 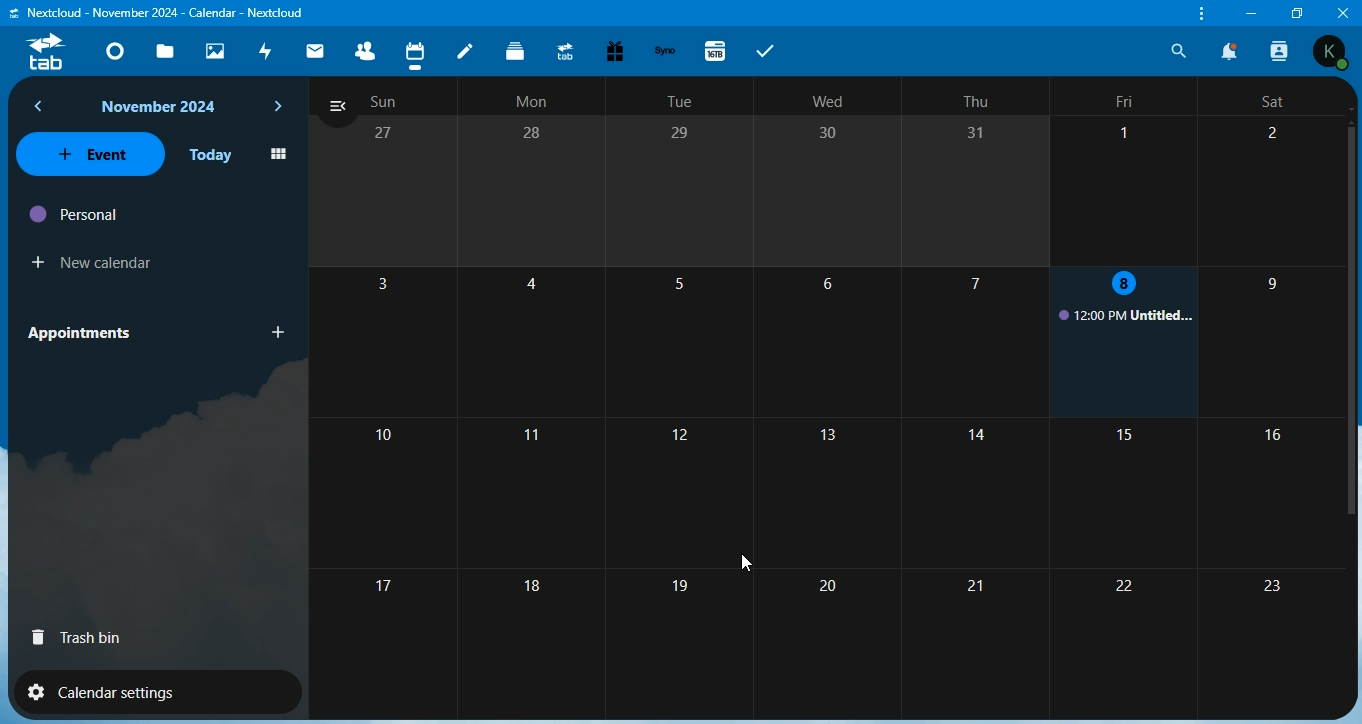 I want to click on back, so click(x=42, y=107).